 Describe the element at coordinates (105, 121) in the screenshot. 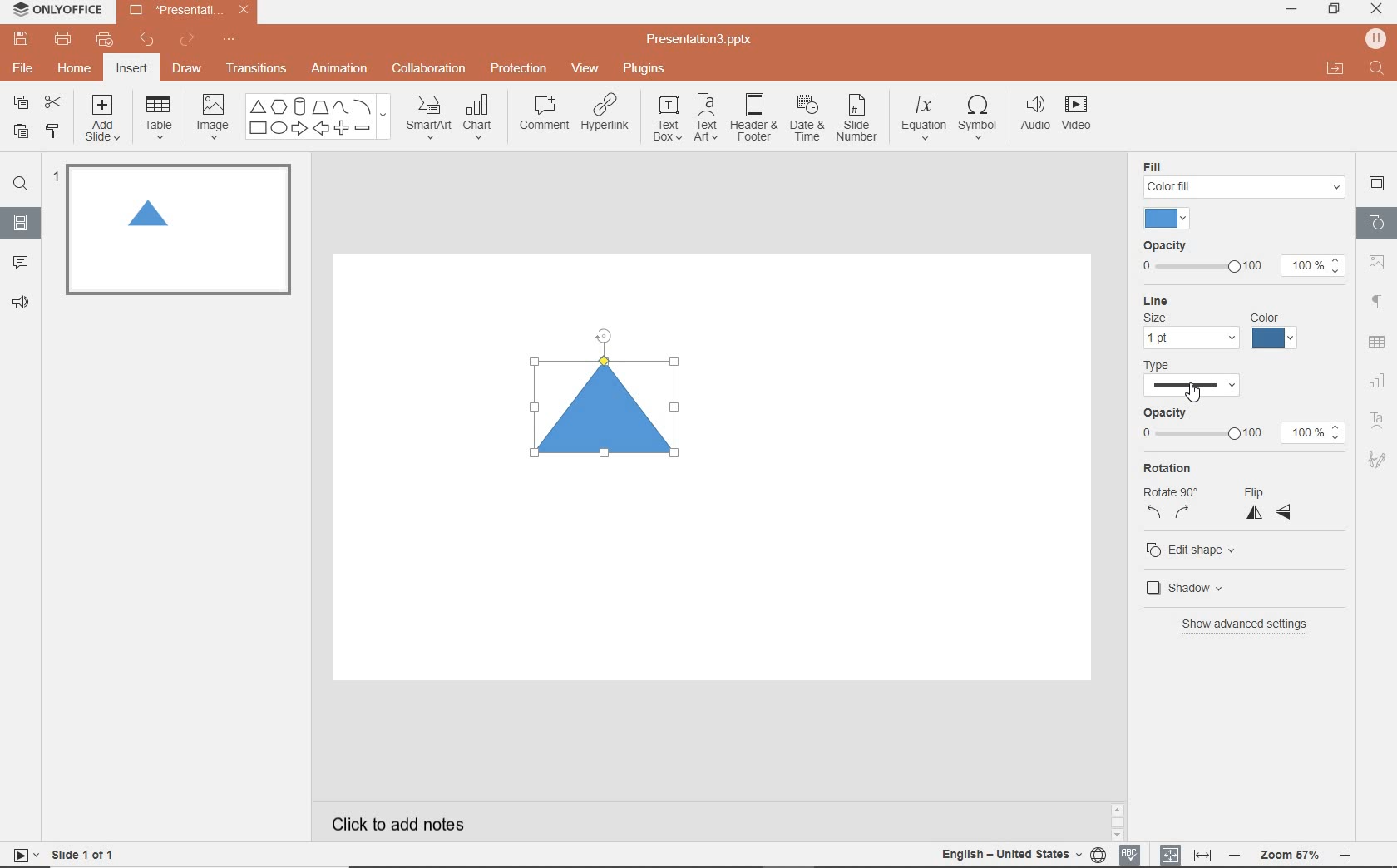

I see `ADD SLIDE` at that location.